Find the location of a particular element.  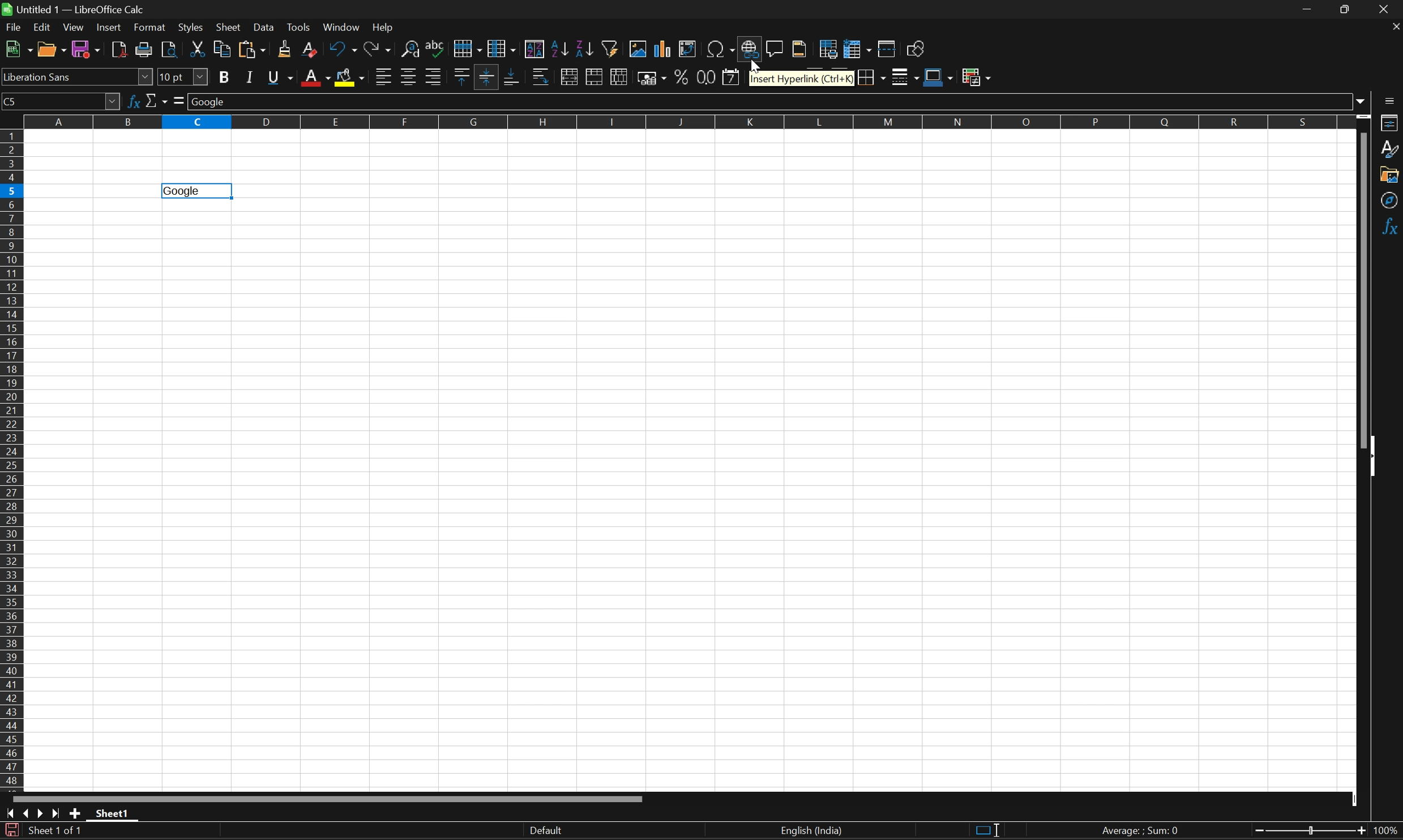

Input line is located at coordinates (770, 101).